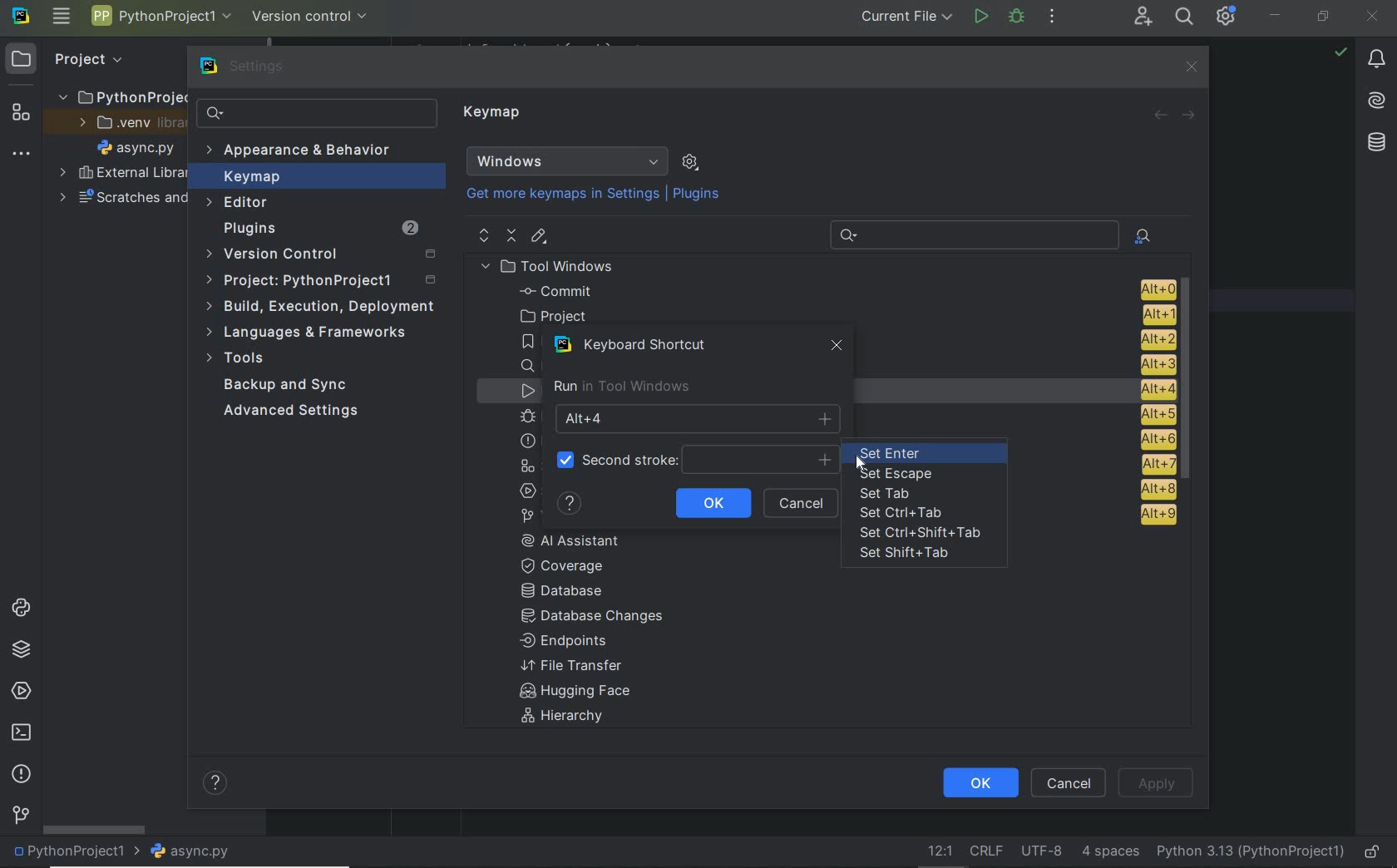 The height and width of the screenshot is (868, 1397). Describe the element at coordinates (594, 618) in the screenshot. I see `Database changes` at that location.